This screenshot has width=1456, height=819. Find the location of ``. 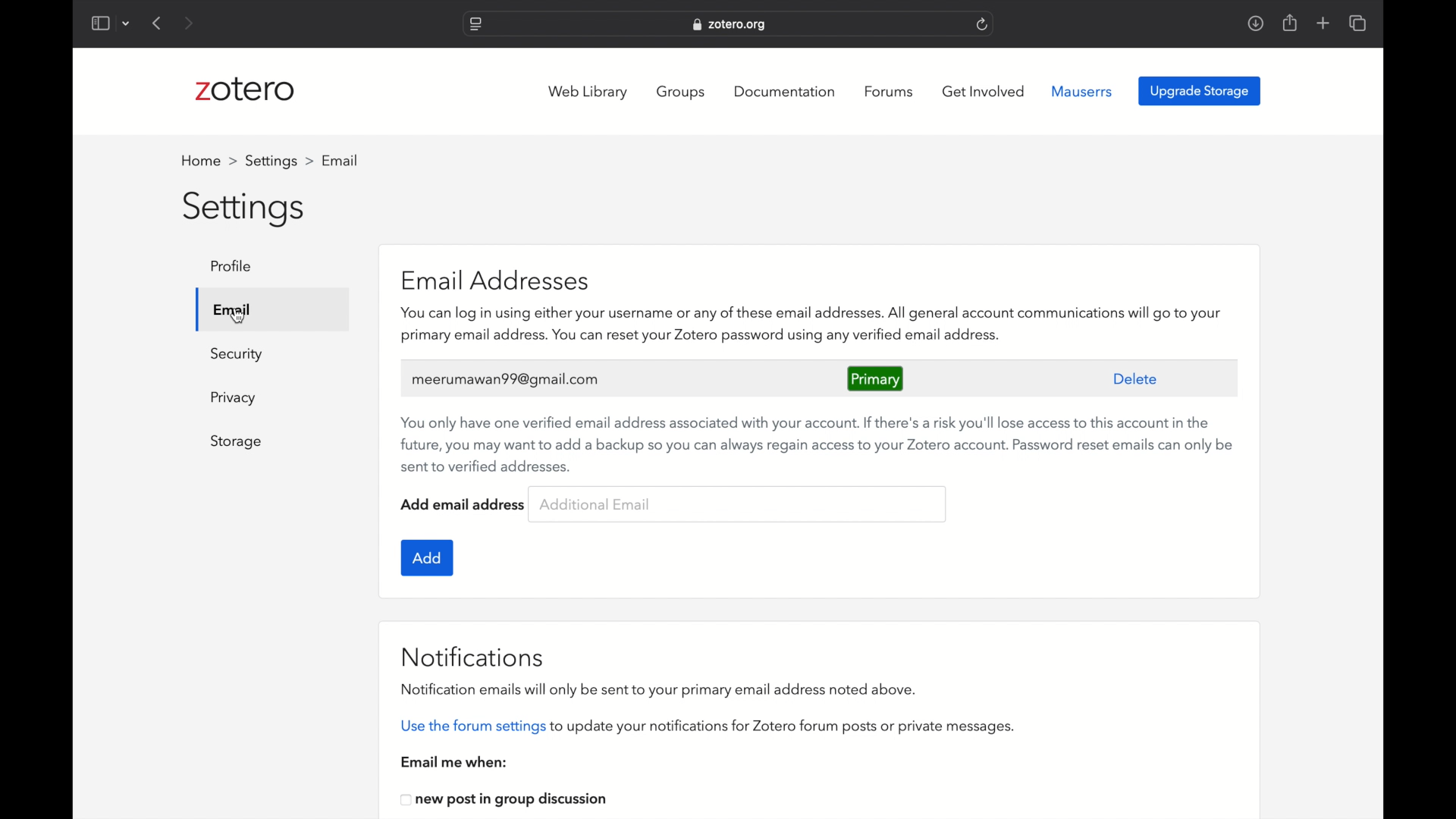

 is located at coordinates (848, 325).